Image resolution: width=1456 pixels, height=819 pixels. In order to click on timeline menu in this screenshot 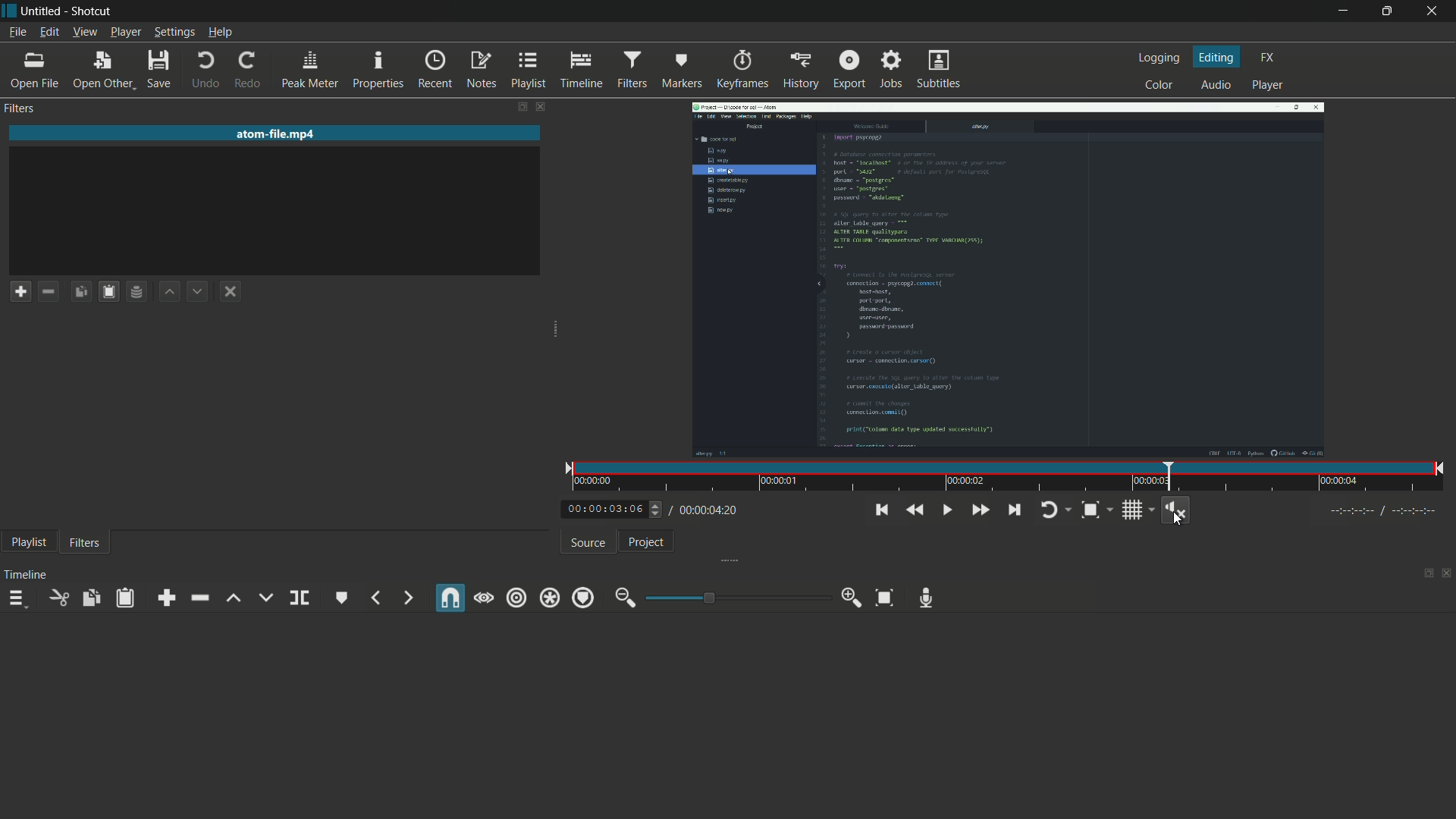, I will do `click(14, 599)`.